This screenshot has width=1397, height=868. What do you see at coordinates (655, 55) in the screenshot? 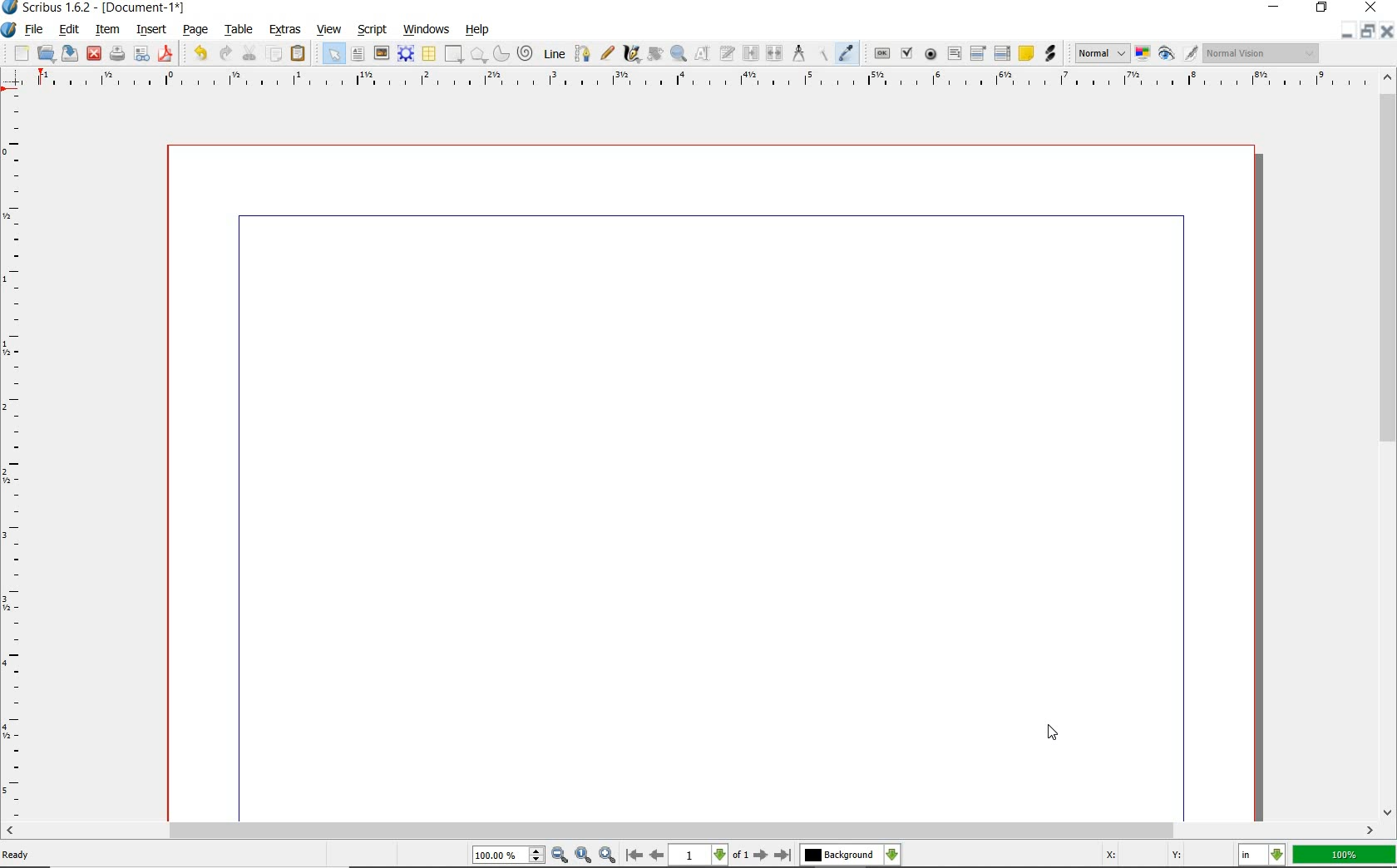
I see `rotate item` at bounding box center [655, 55].